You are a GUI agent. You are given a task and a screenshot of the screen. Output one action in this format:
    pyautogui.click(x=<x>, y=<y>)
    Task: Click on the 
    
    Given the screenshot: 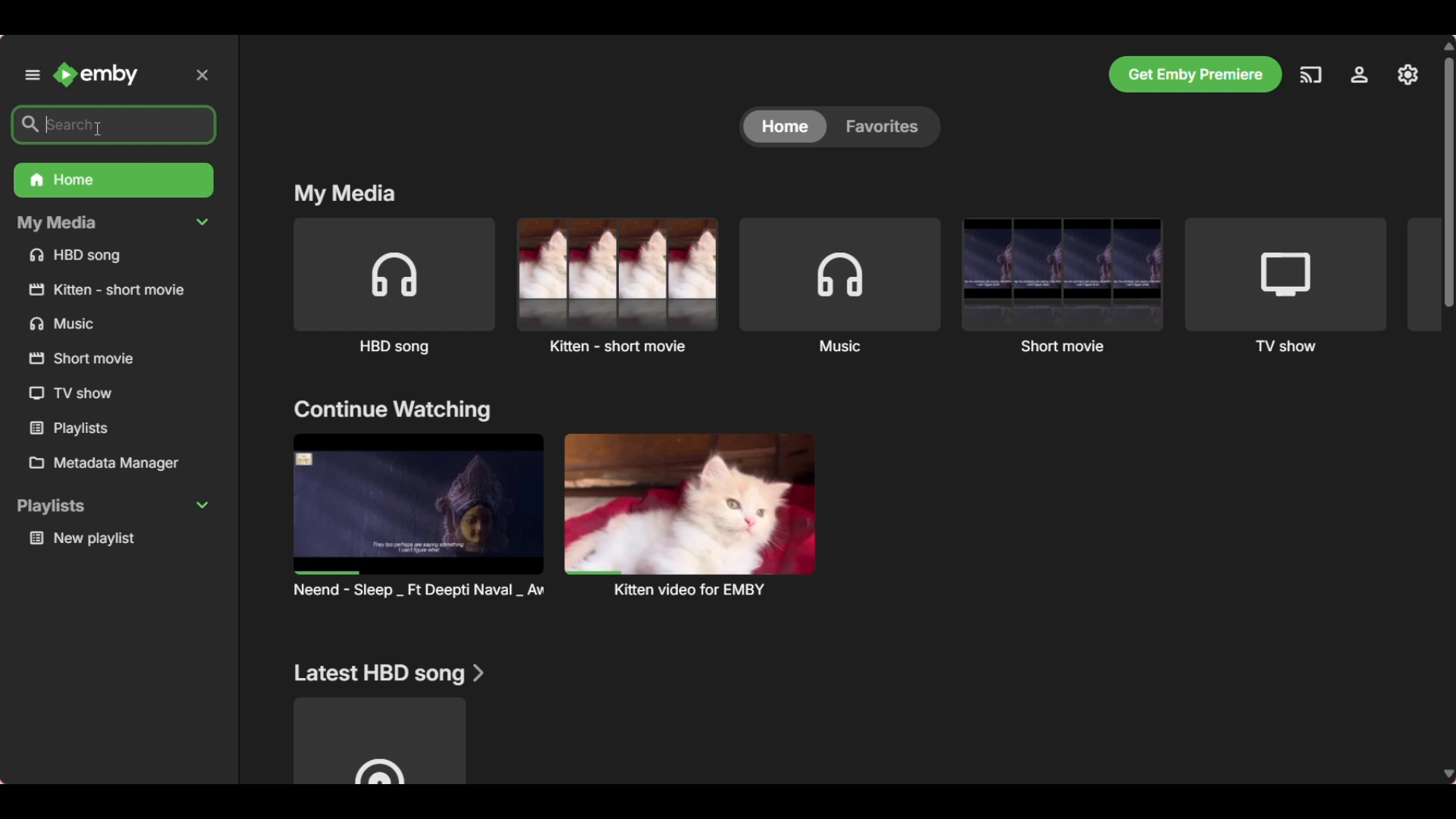 What is the action you would take?
    pyautogui.click(x=85, y=357)
    